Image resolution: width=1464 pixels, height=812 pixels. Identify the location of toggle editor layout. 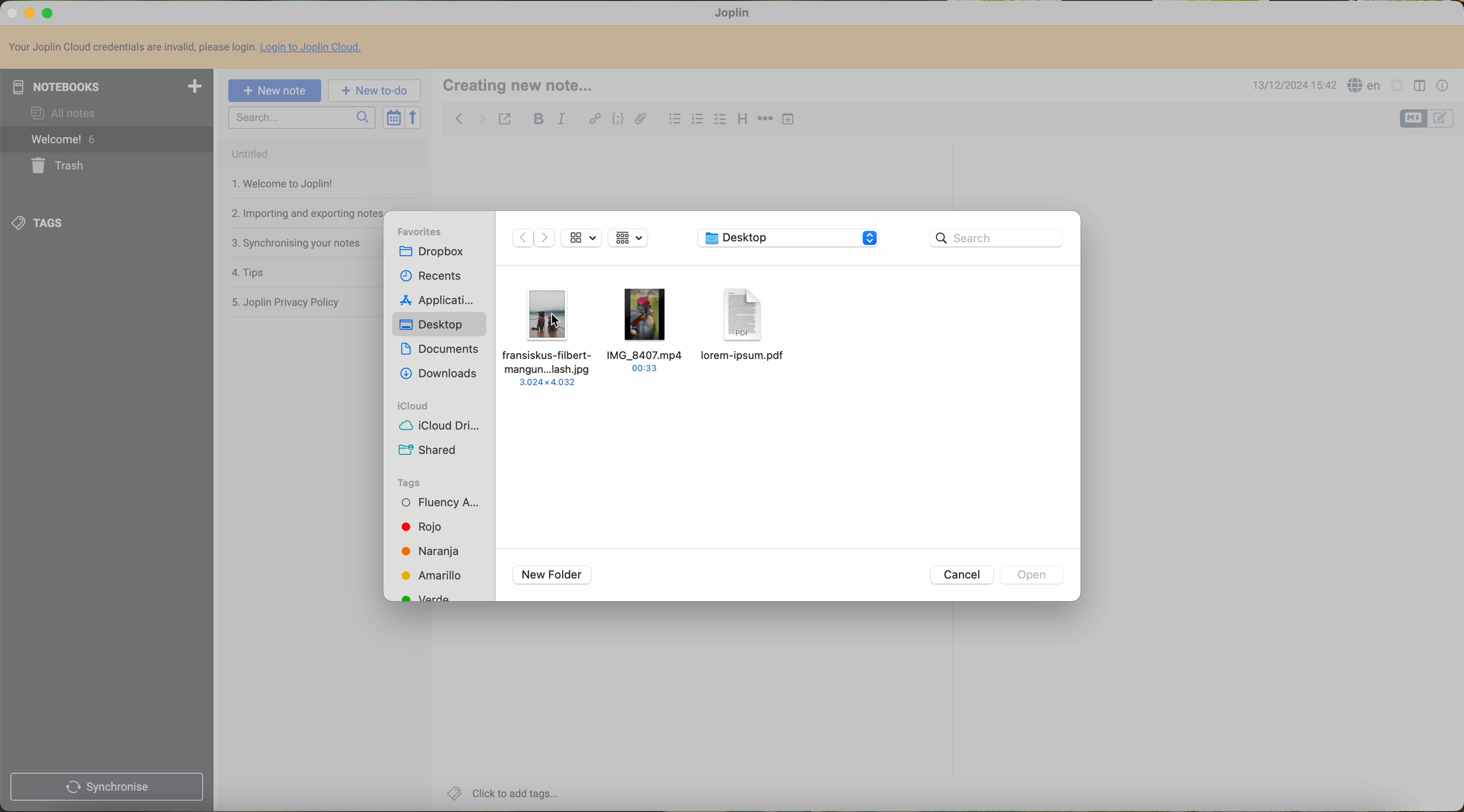
(1421, 86).